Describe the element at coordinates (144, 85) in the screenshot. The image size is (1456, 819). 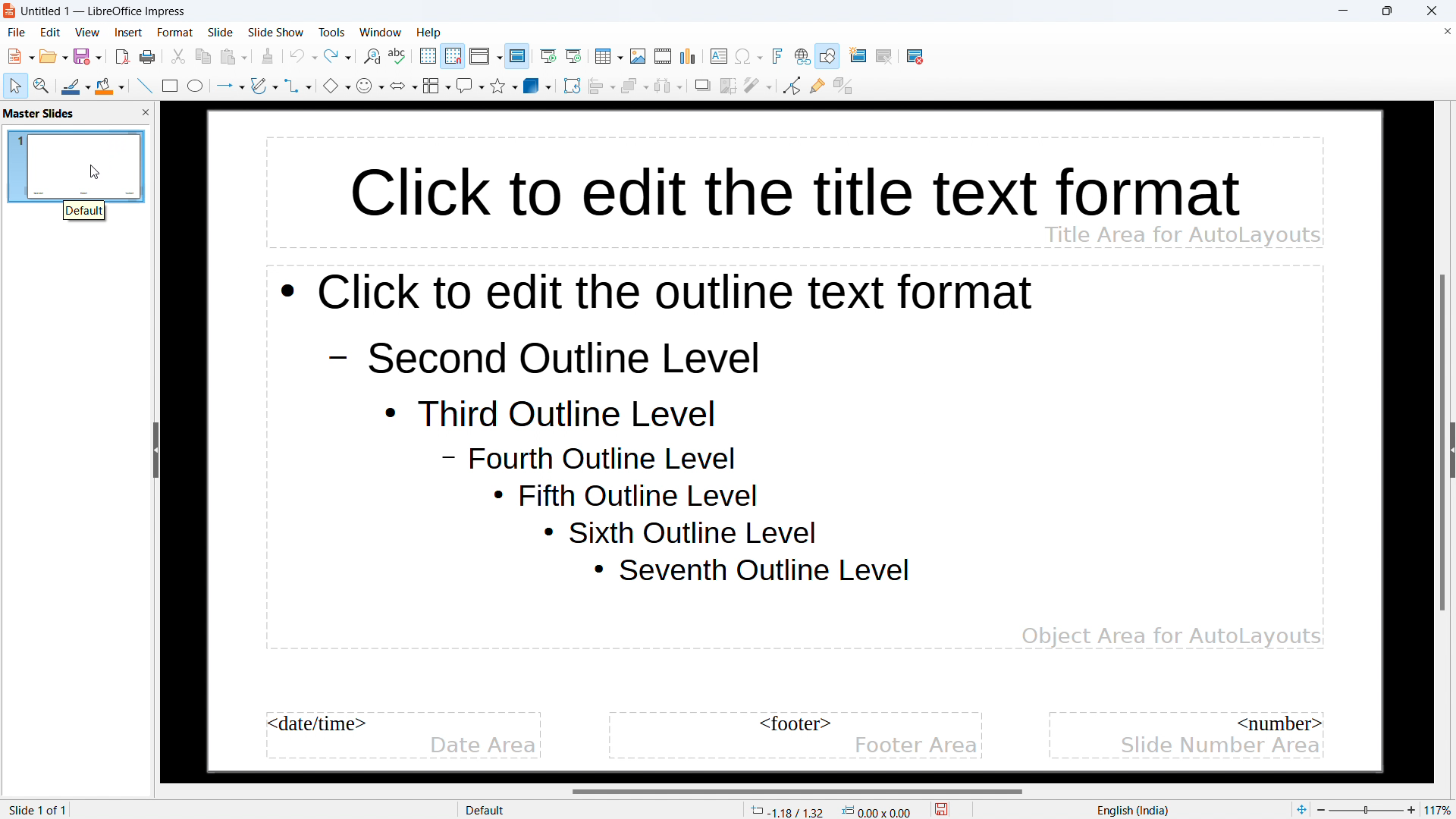
I see `insert line` at that location.